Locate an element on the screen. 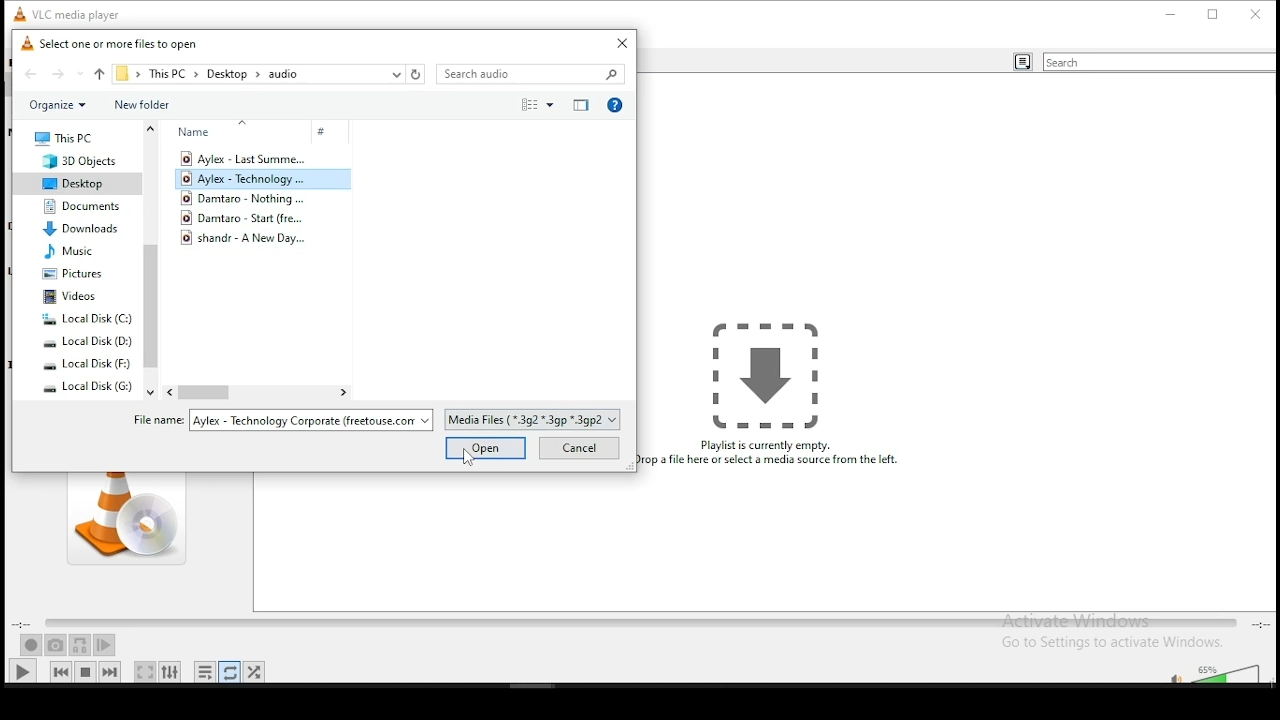 The height and width of the screenshot is (720, 1280). open file window is located at coordinates (115, 45).